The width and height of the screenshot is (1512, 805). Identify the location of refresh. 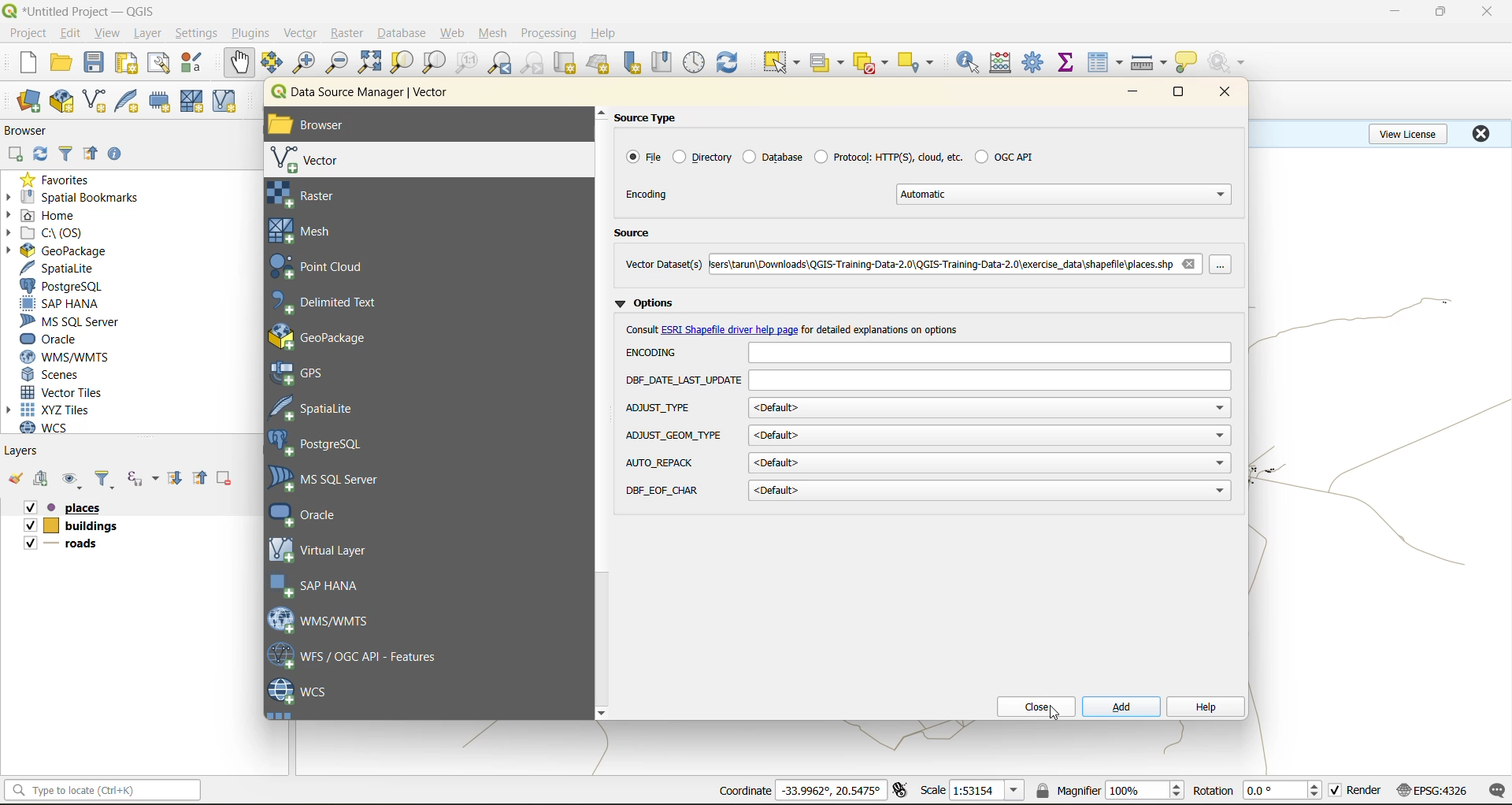
(37, 156).